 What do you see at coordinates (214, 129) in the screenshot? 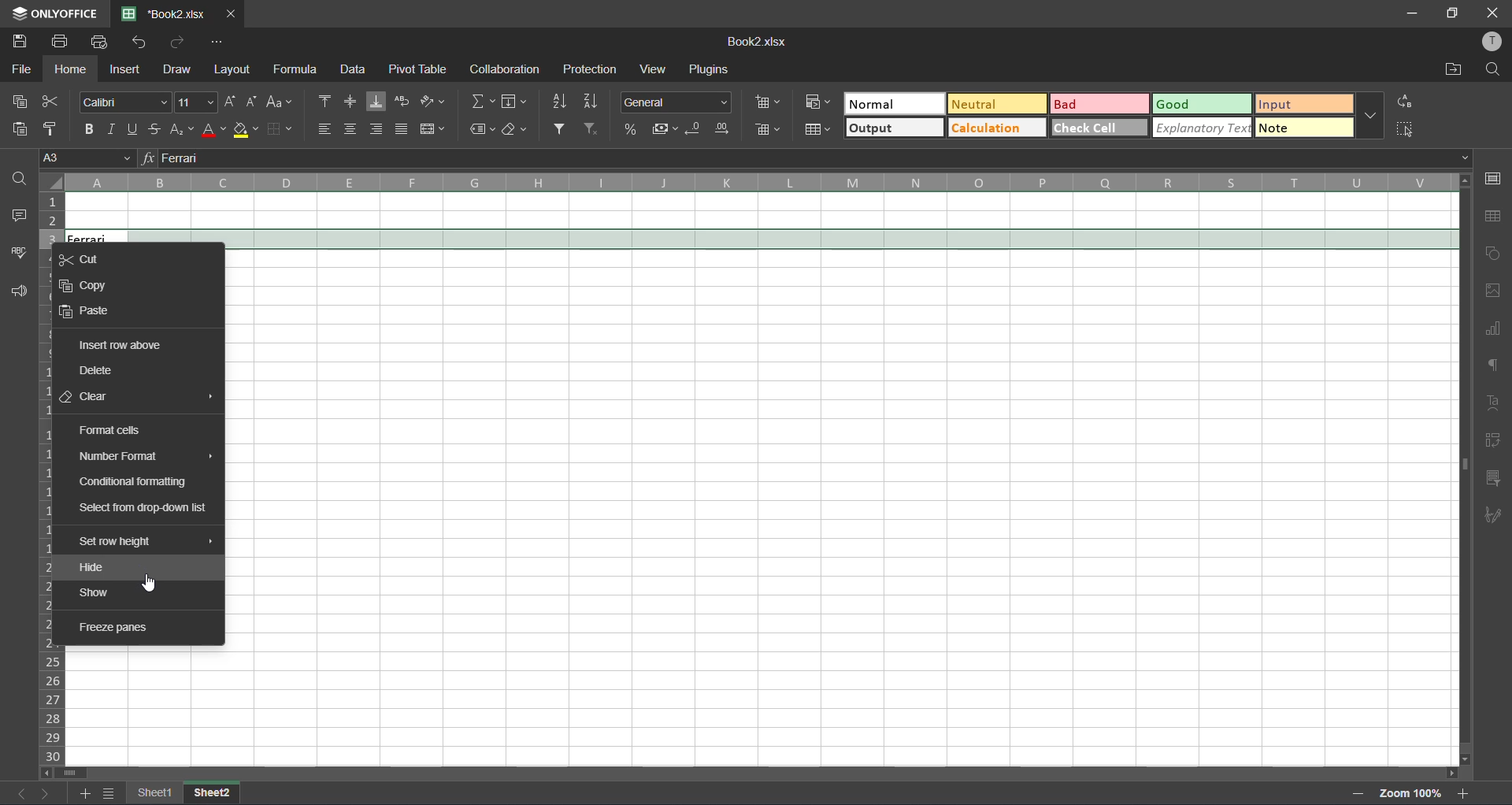
I see `font color` at bounding box center [214, 129].